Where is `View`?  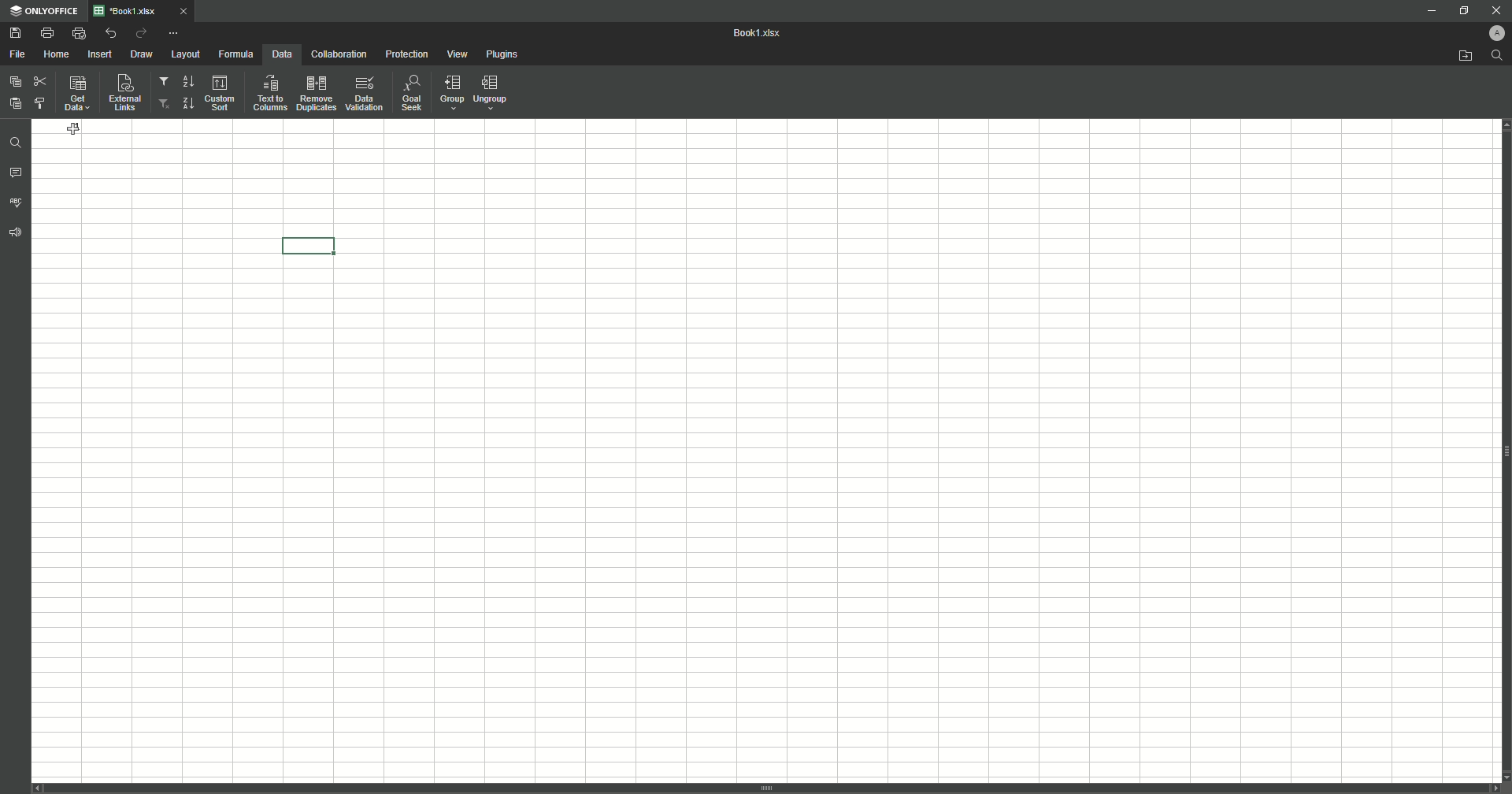
View is located at coordinates (459, 55).